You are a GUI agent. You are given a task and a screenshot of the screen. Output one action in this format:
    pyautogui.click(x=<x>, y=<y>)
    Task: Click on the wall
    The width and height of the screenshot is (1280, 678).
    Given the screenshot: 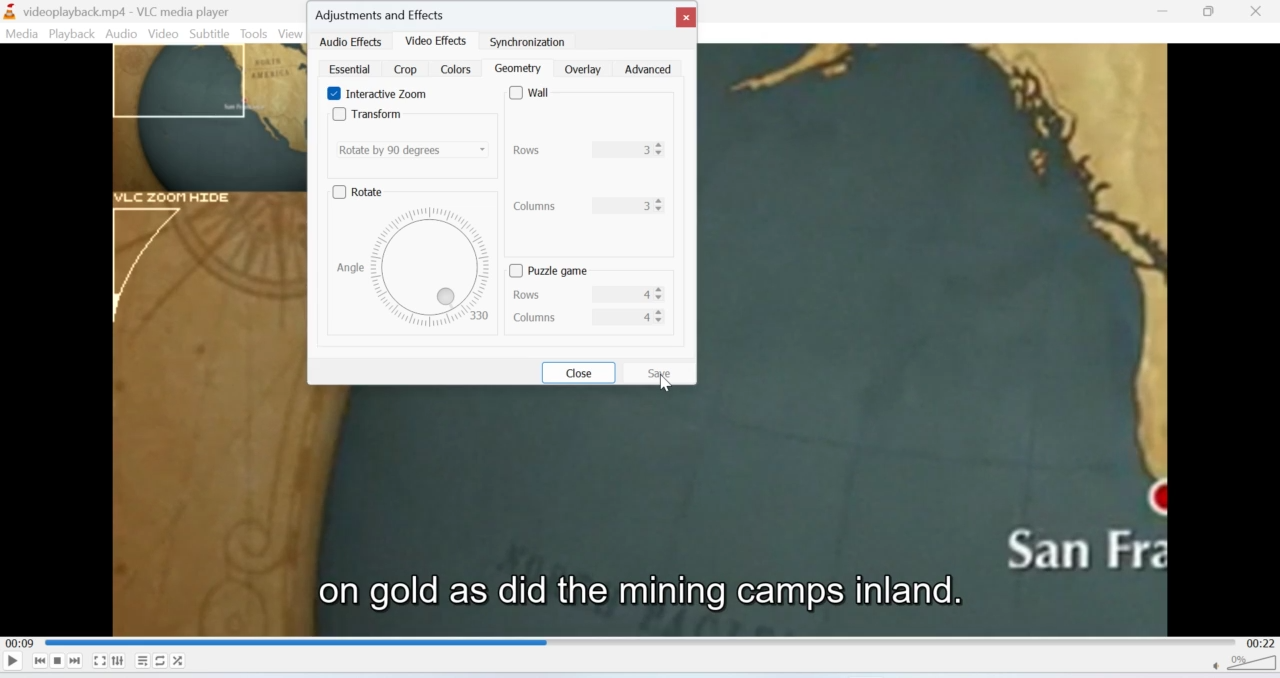 What is the action you would take?
    pyautogui.click(x=532, y=94)
    